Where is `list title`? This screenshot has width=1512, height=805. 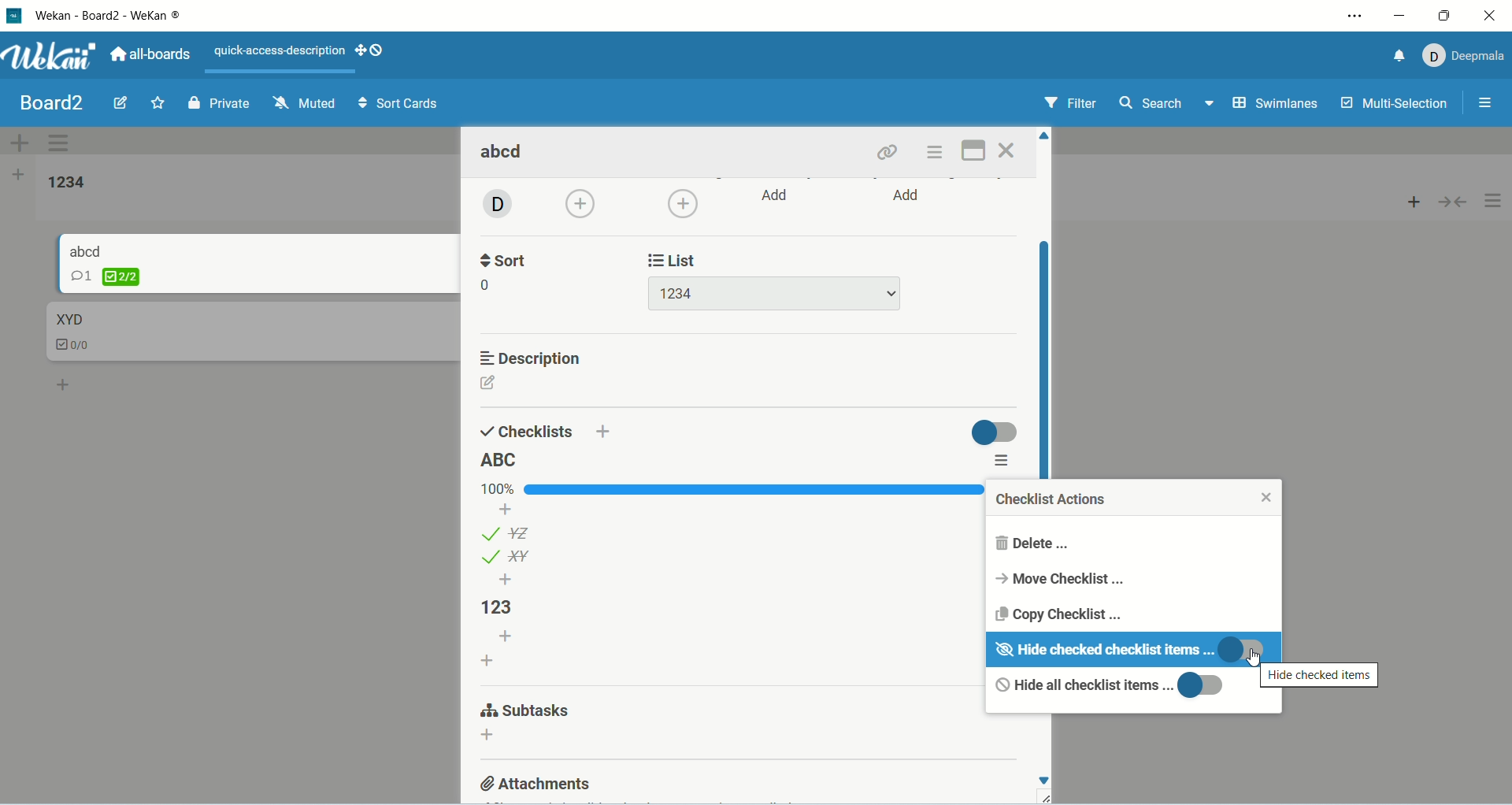
list title is located at coordinates (69, 183).